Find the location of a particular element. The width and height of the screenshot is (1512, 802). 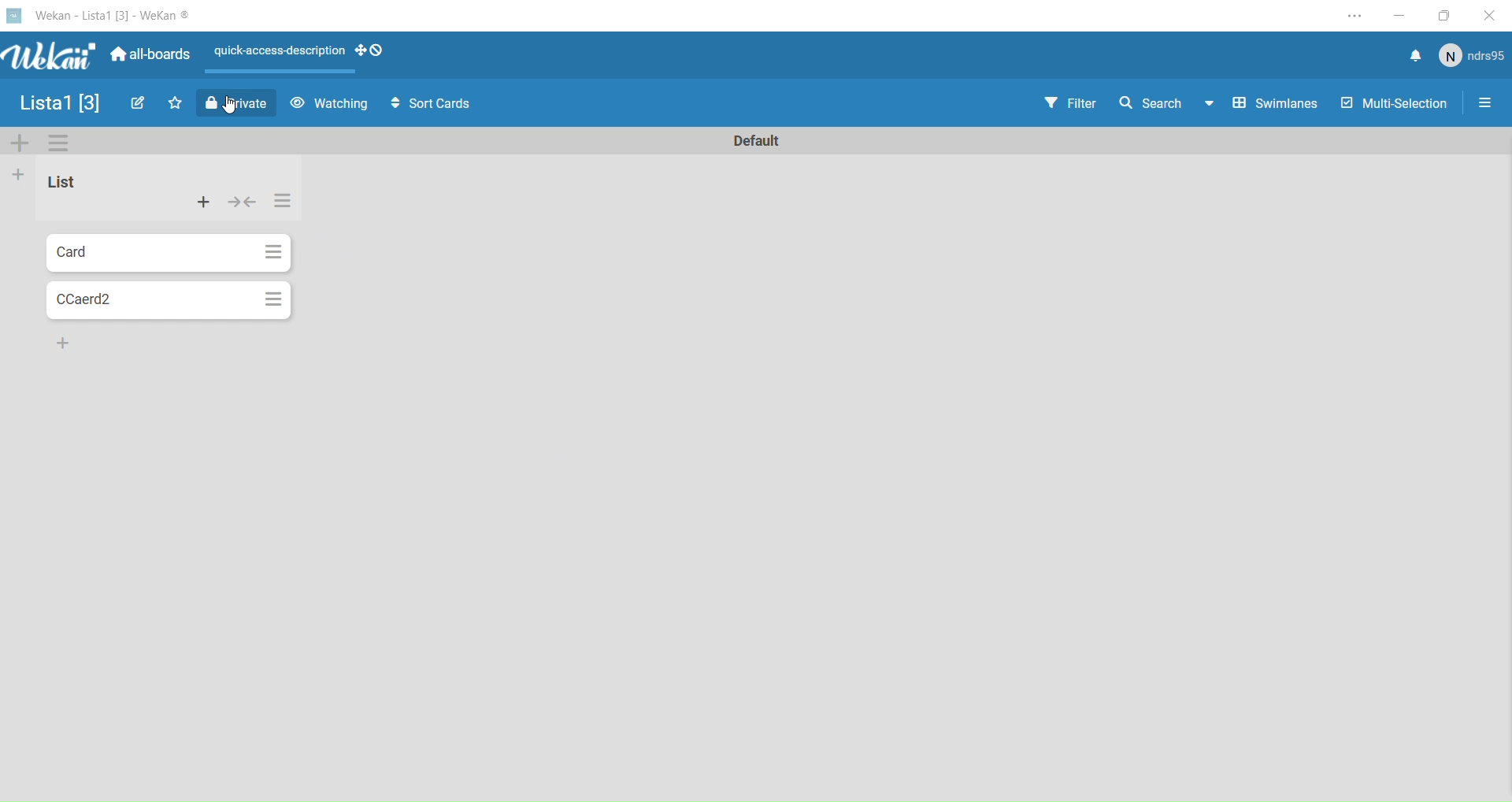

Filter is located at coordinates (1069, 104).